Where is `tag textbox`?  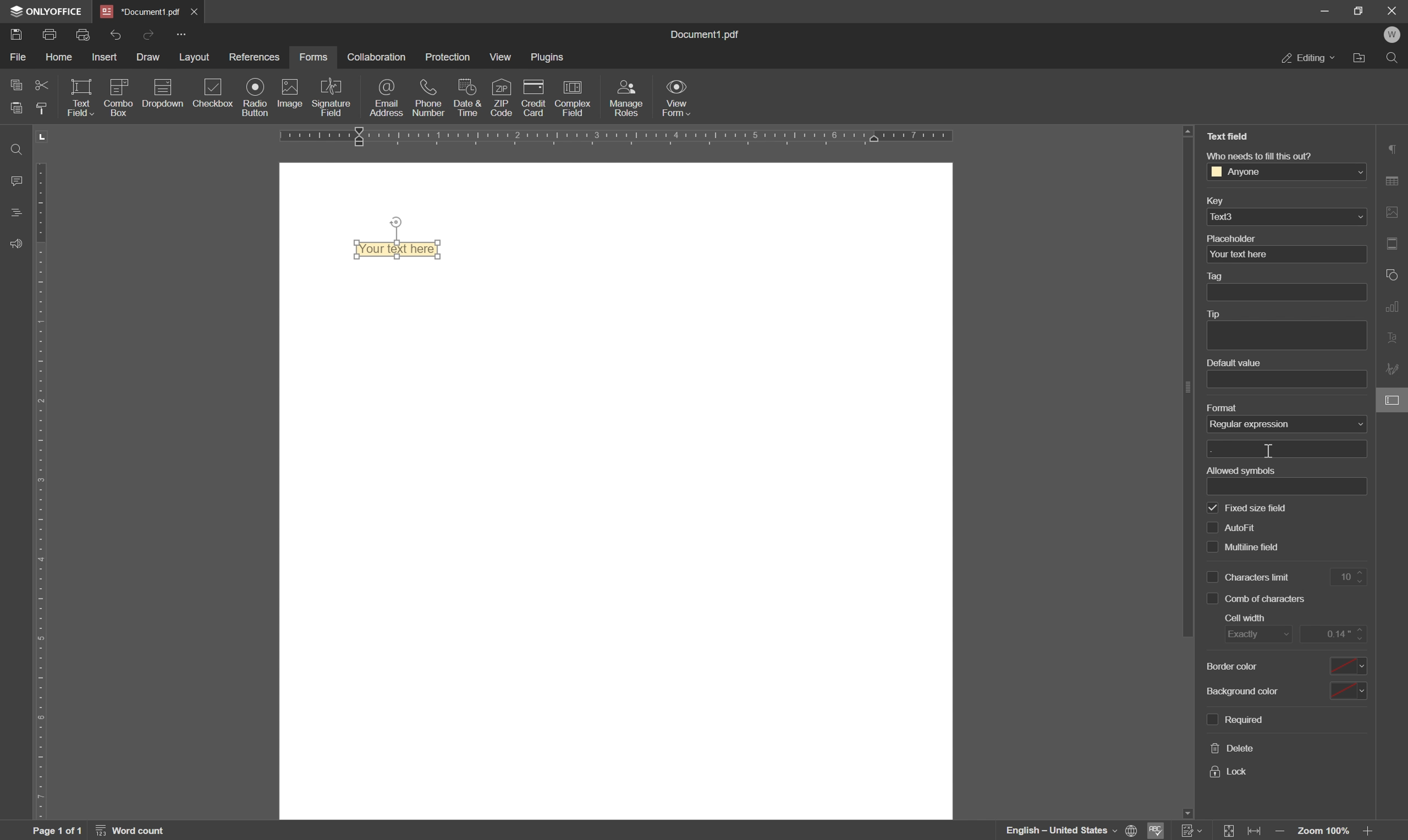 tag textbox is located at coordinates (1291, 292).